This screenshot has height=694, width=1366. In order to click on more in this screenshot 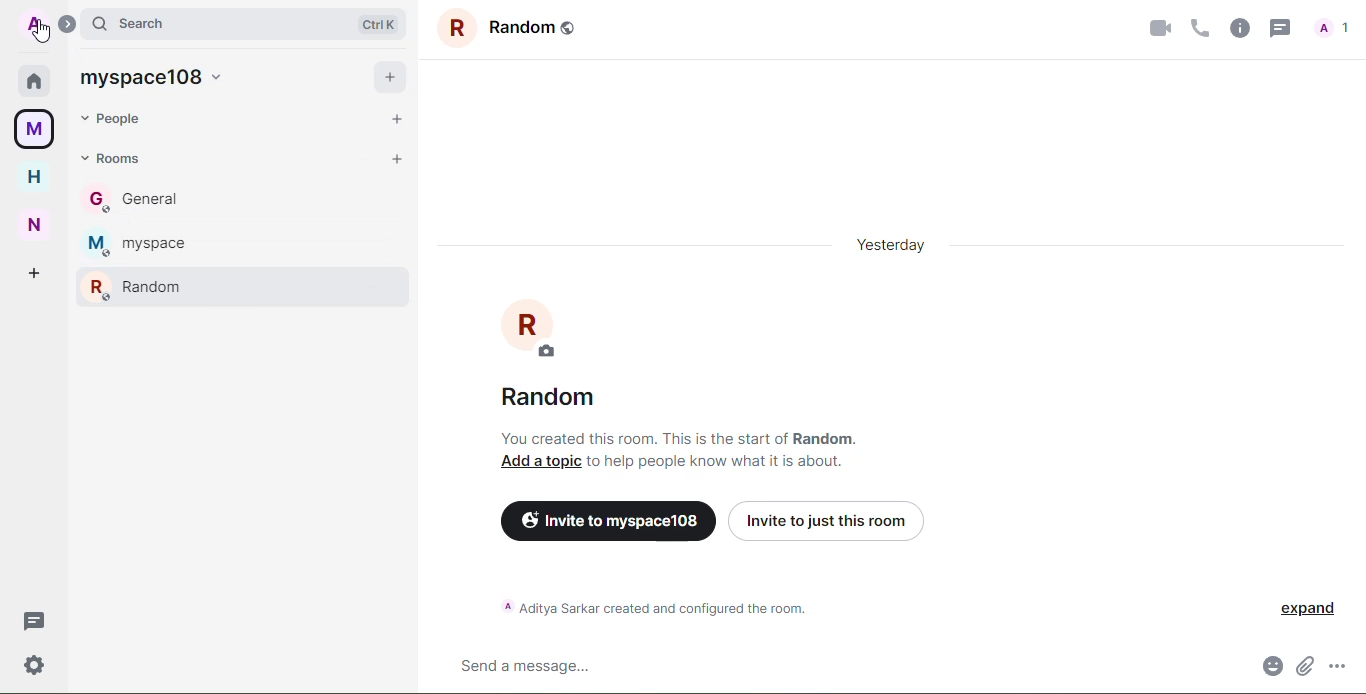, I will do `click(1342, 665)`.